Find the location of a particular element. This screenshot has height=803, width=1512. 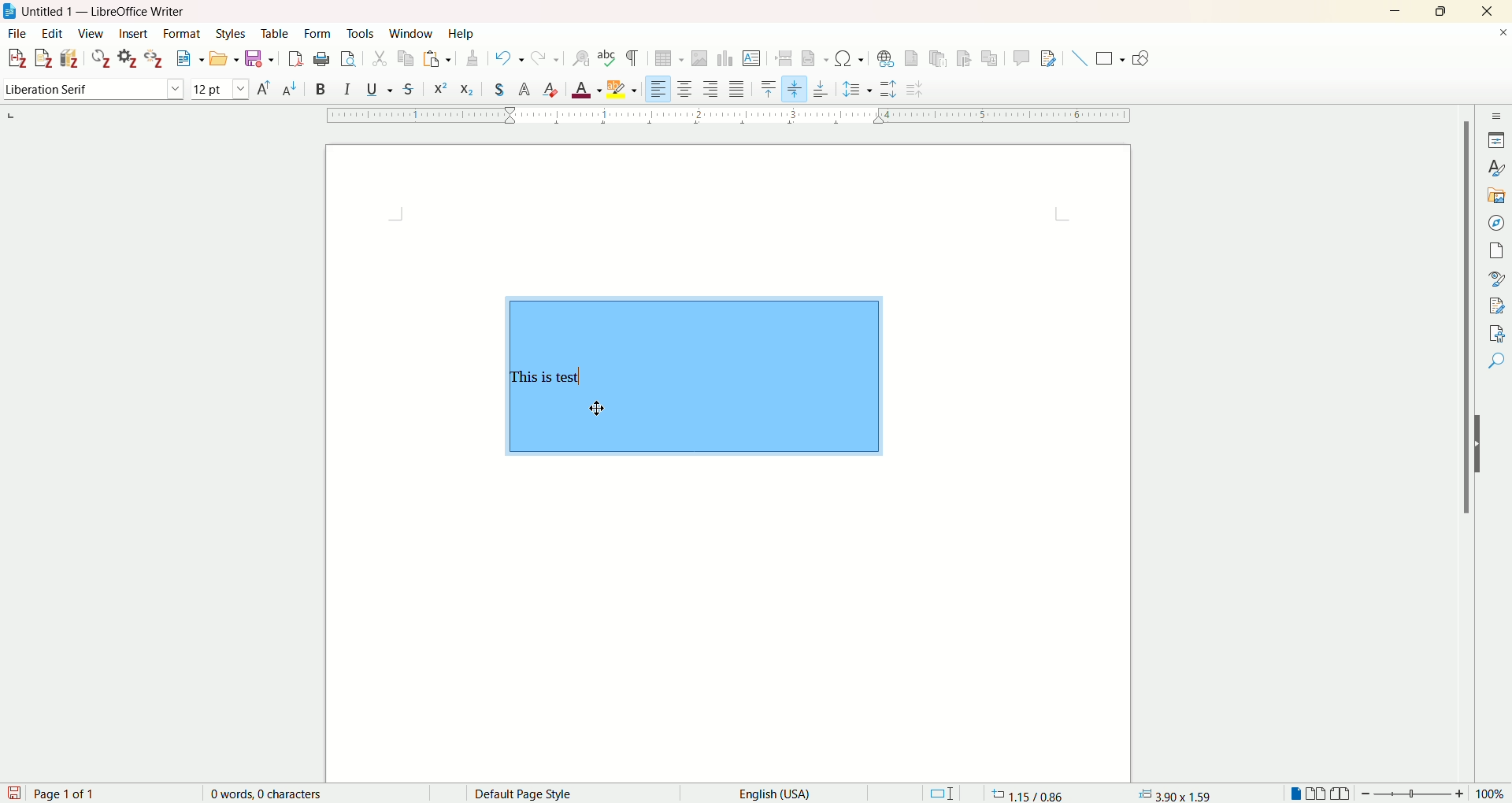

toggle formatting is located at coordinates (632, 58).